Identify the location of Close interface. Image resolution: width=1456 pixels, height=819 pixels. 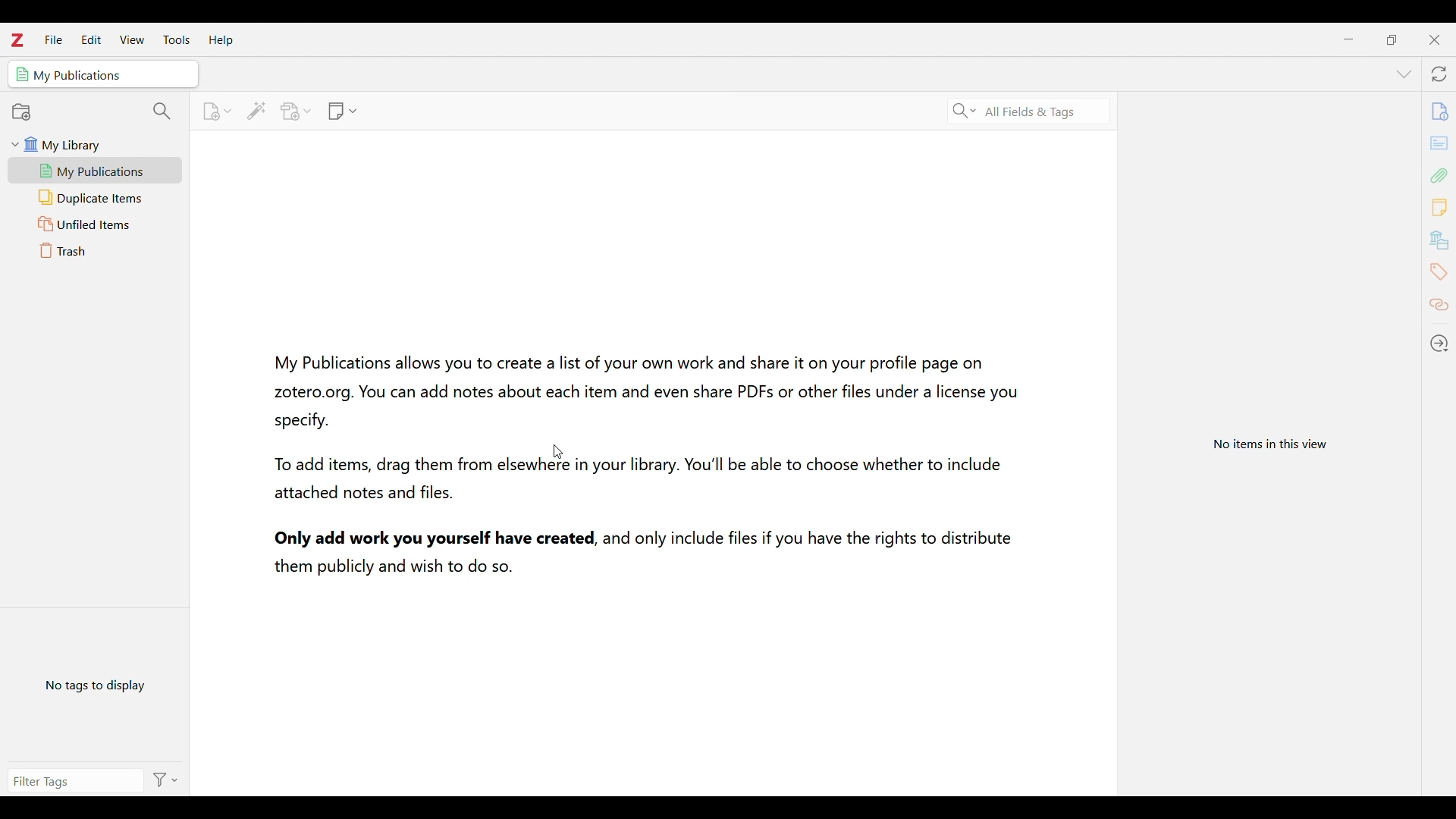
(1434, 39).